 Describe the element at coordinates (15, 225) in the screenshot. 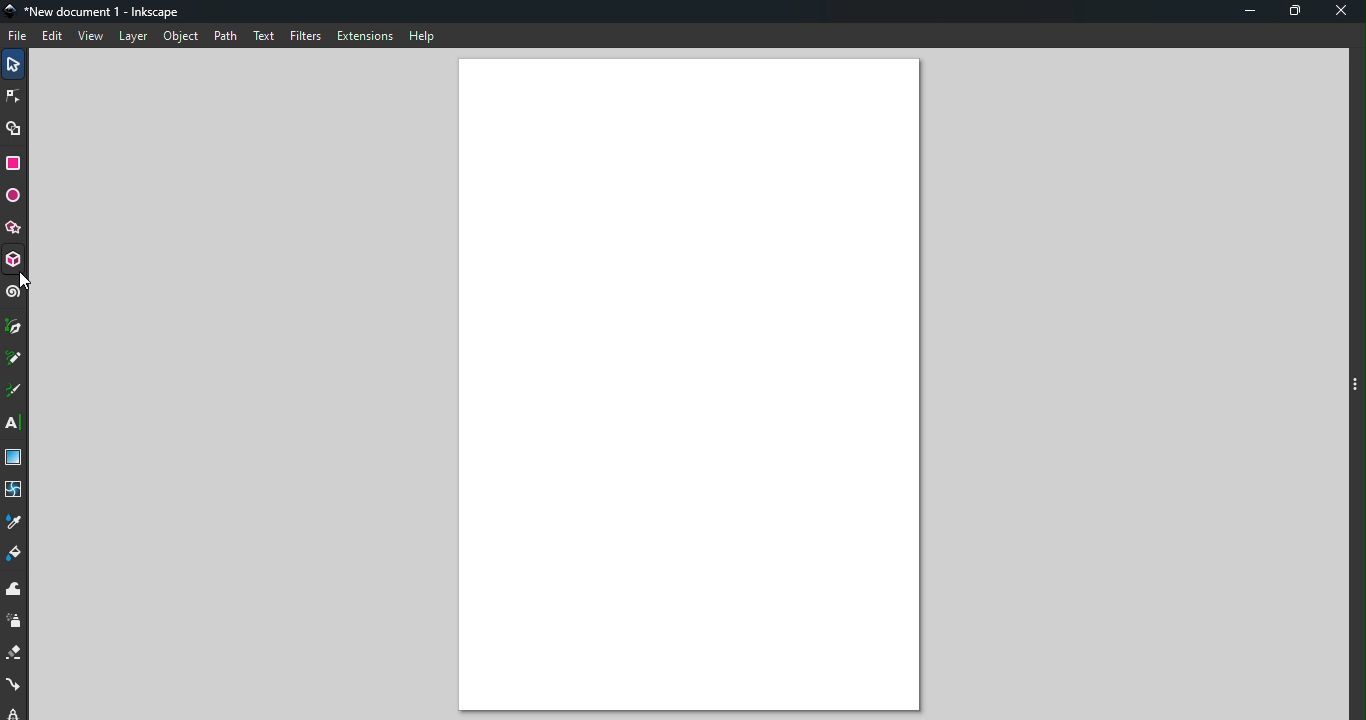

I see `Star/polygon tool` at that location.